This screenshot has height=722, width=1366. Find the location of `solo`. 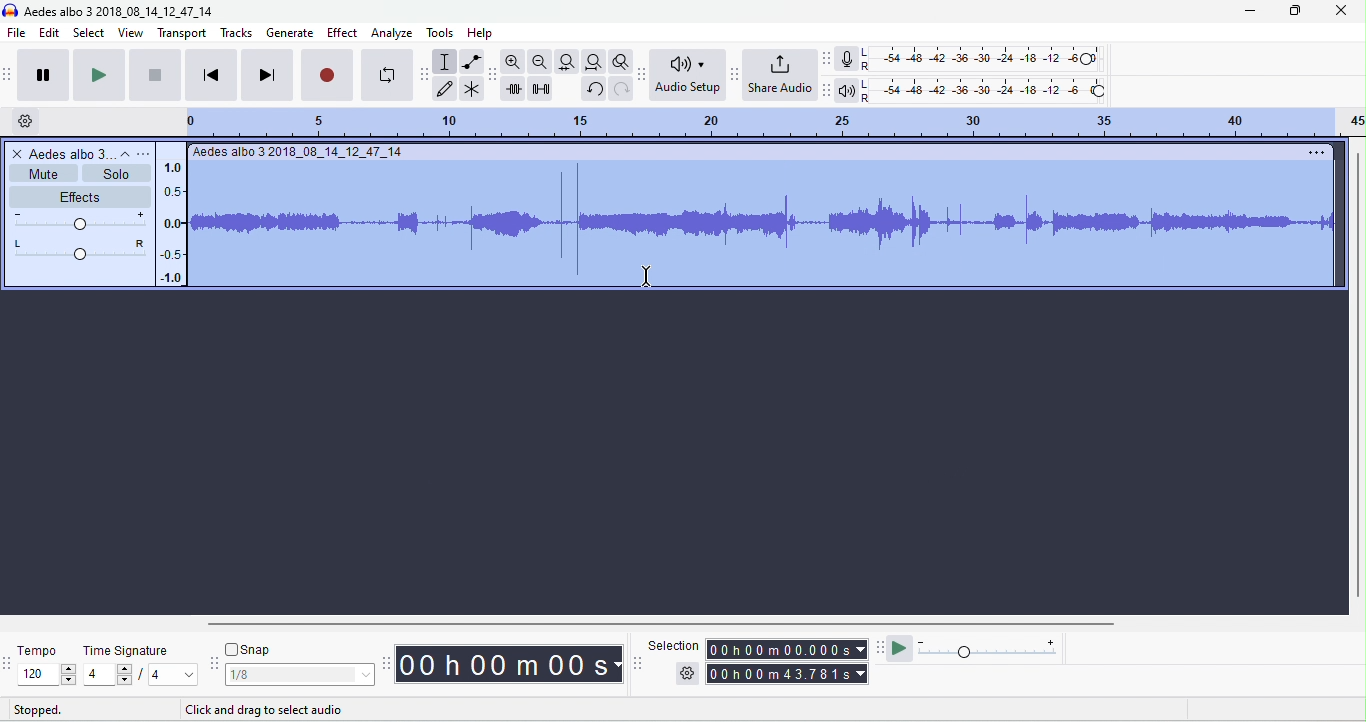

solo is located at coordinates (115, 174).